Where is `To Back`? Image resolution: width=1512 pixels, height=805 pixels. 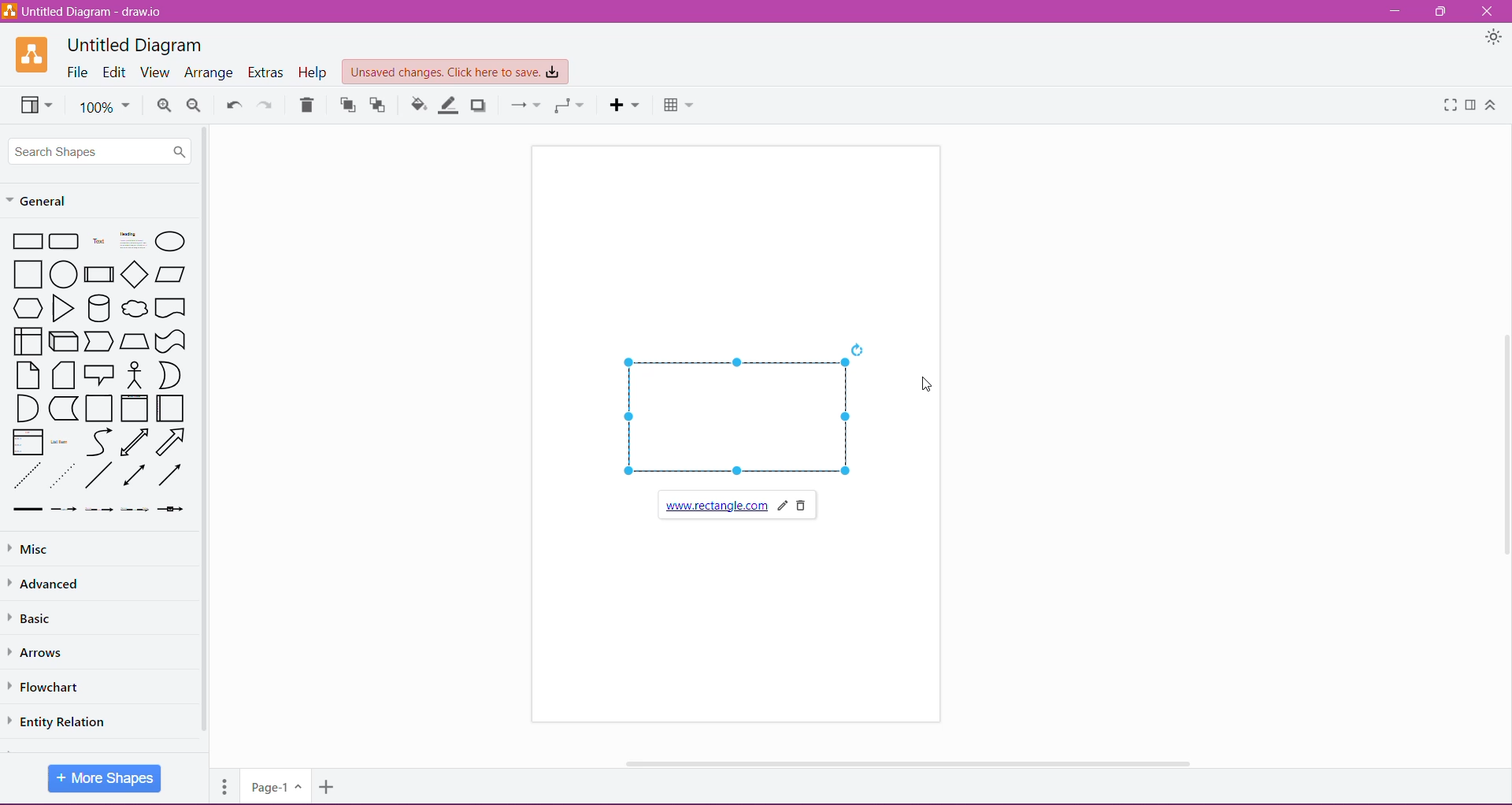
To Back is located at coordinates (379, 106).